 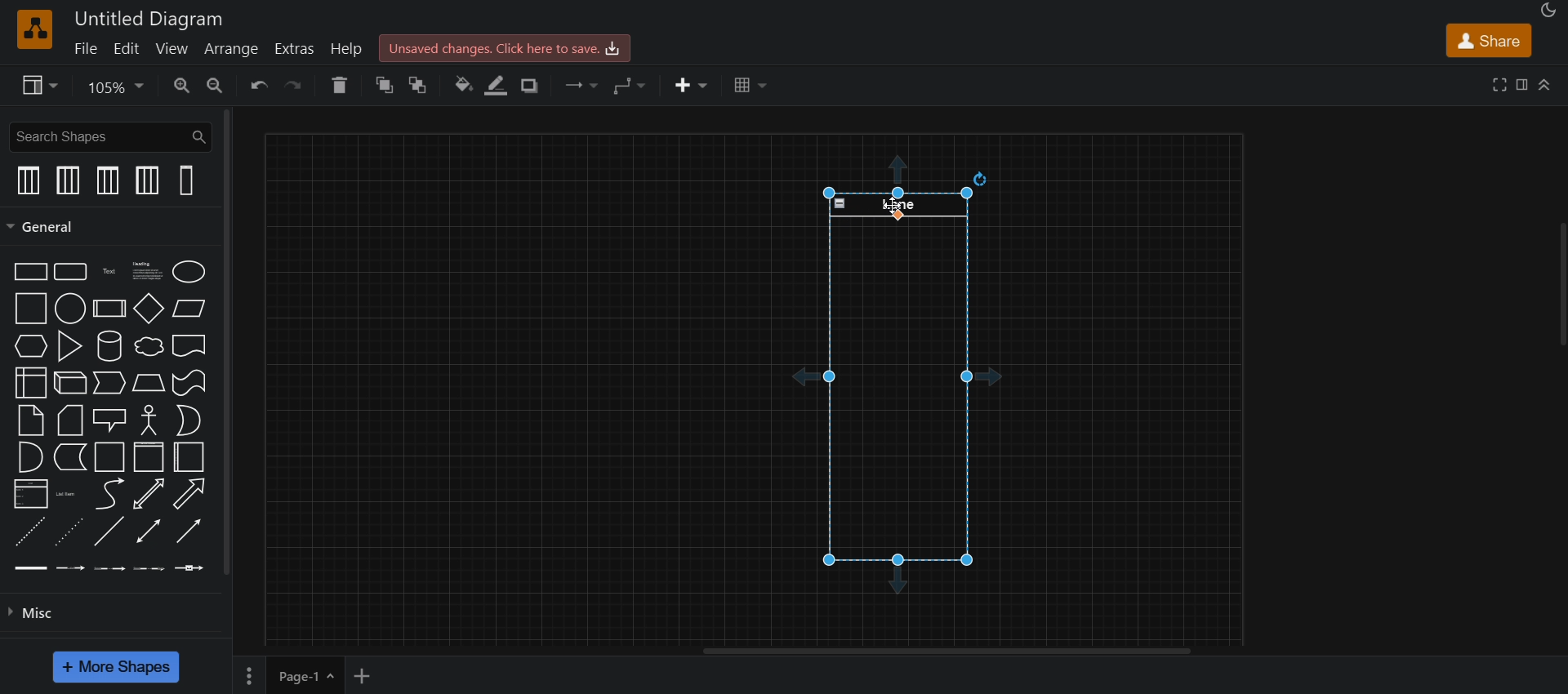 What do you see at coordinates (109, 136) in the screenshot?
I see `search shapes` at bounding box center [109, 136].